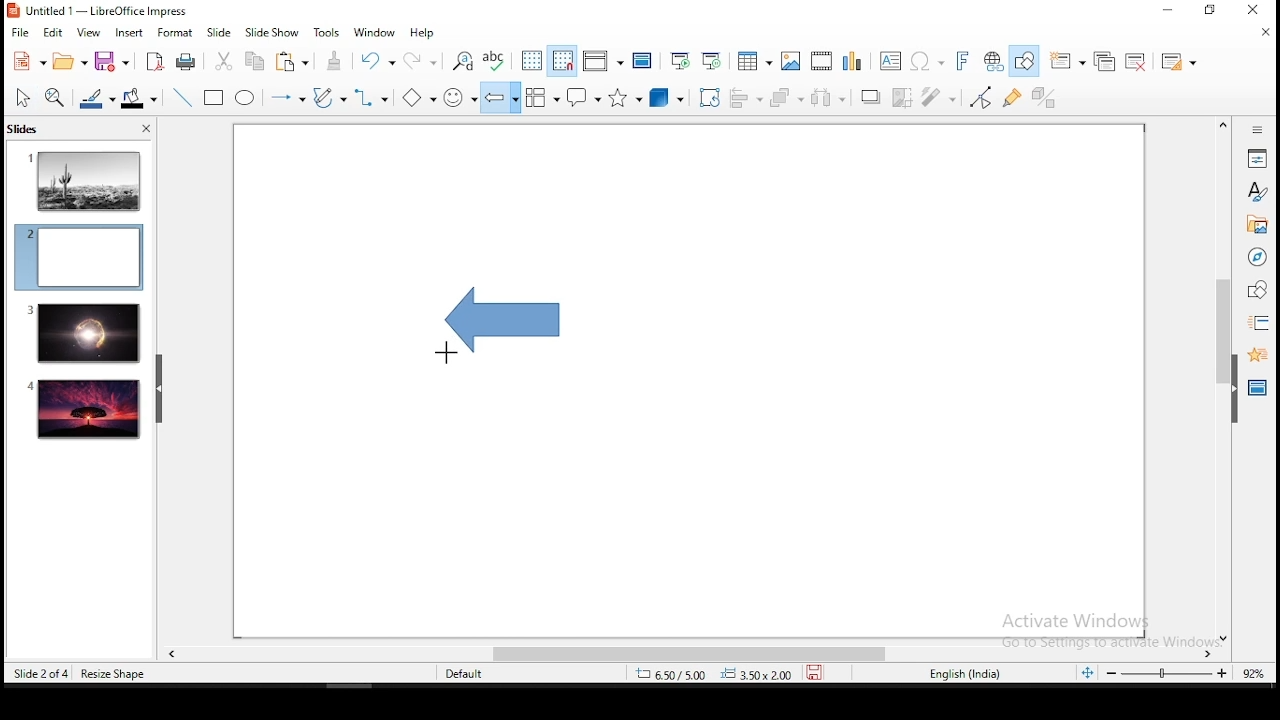  Describe the element at coordinates (1088, 628) in the screenshot. I see `` at that location.